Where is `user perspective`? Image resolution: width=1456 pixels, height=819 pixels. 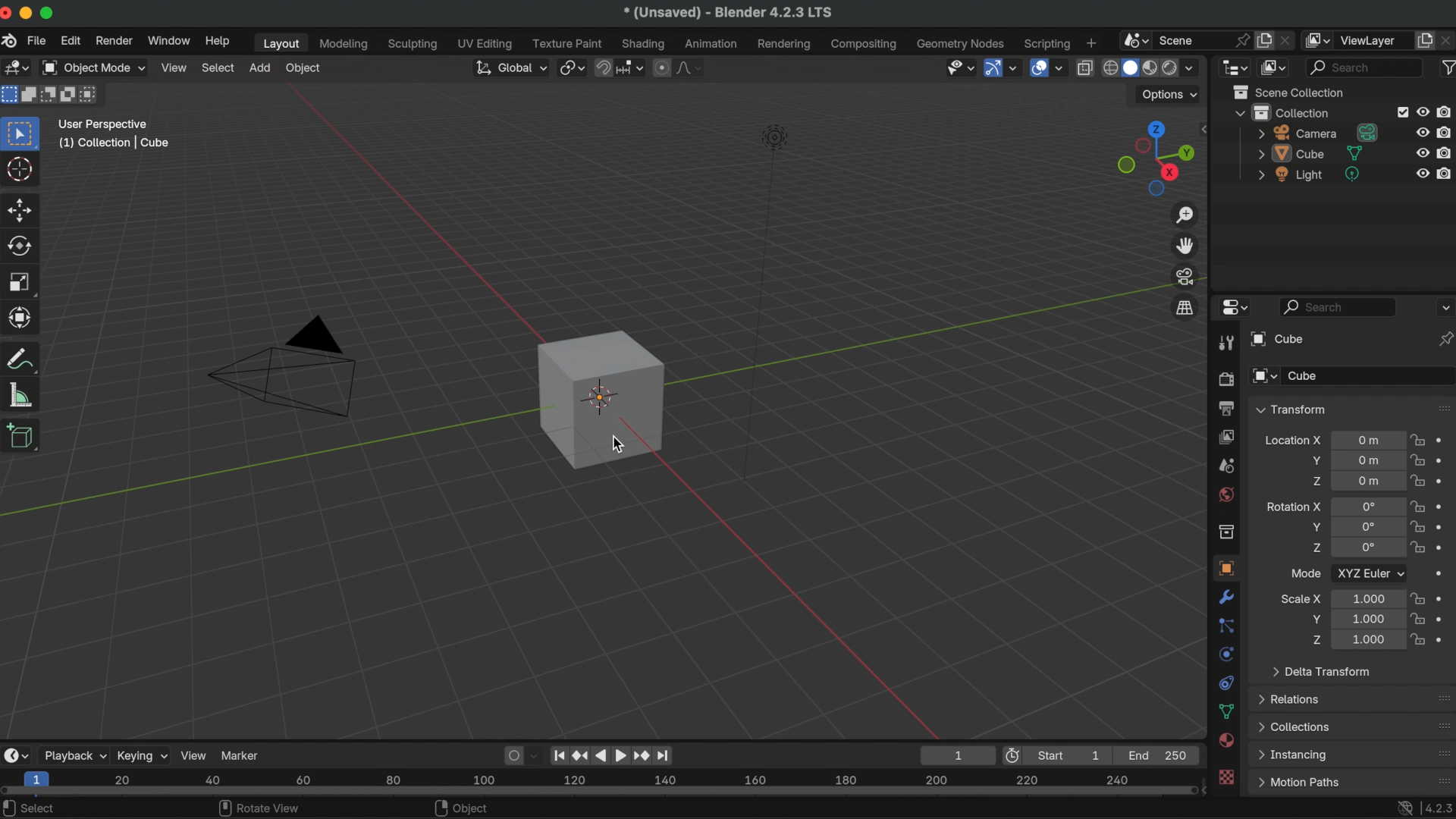 user perspective is located at coordinates (104, 122).